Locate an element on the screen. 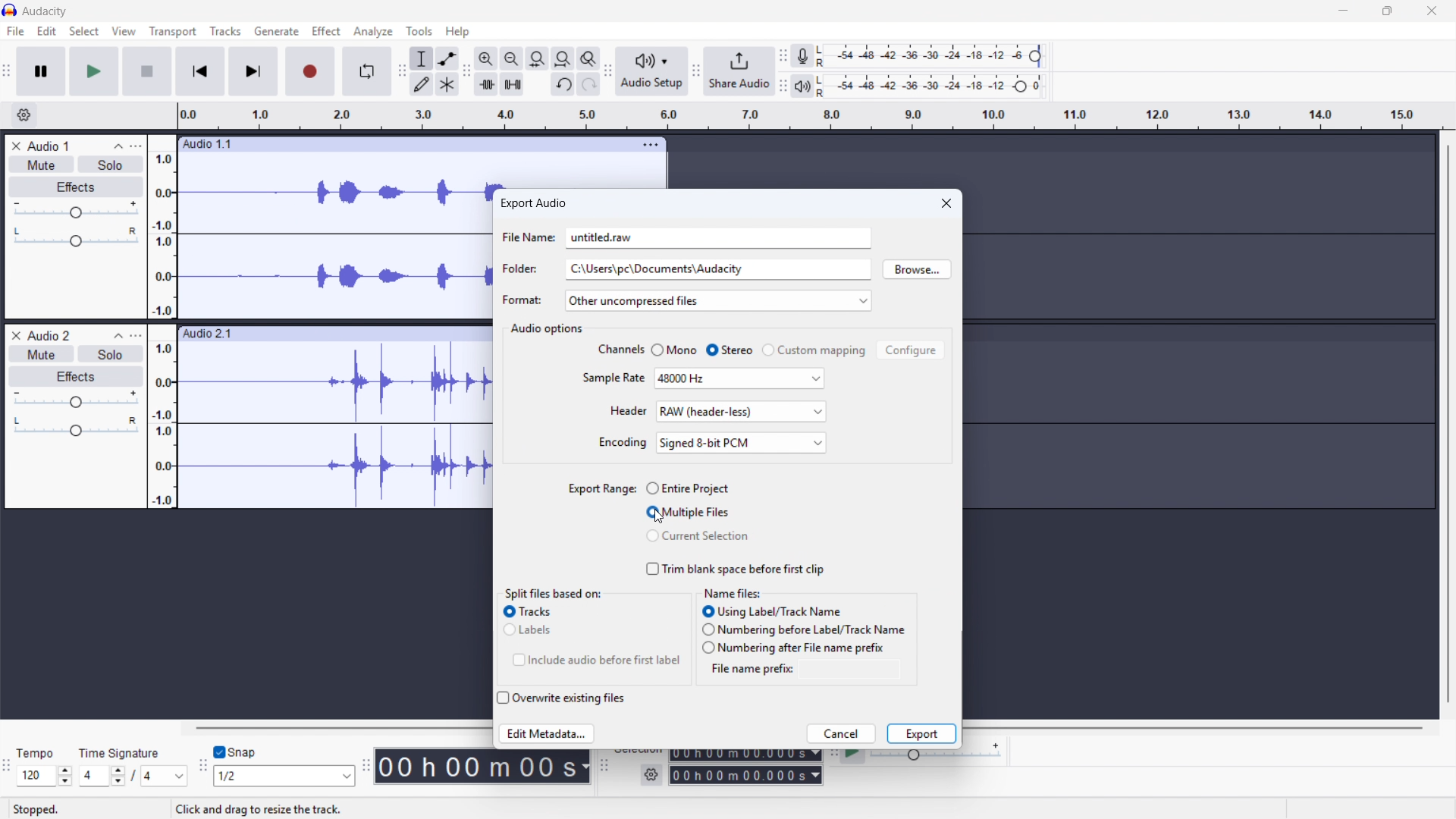 Image resolution: width=1456 pixels, height=819 pixels. Export range entire project is located at coordinates (687, 488).